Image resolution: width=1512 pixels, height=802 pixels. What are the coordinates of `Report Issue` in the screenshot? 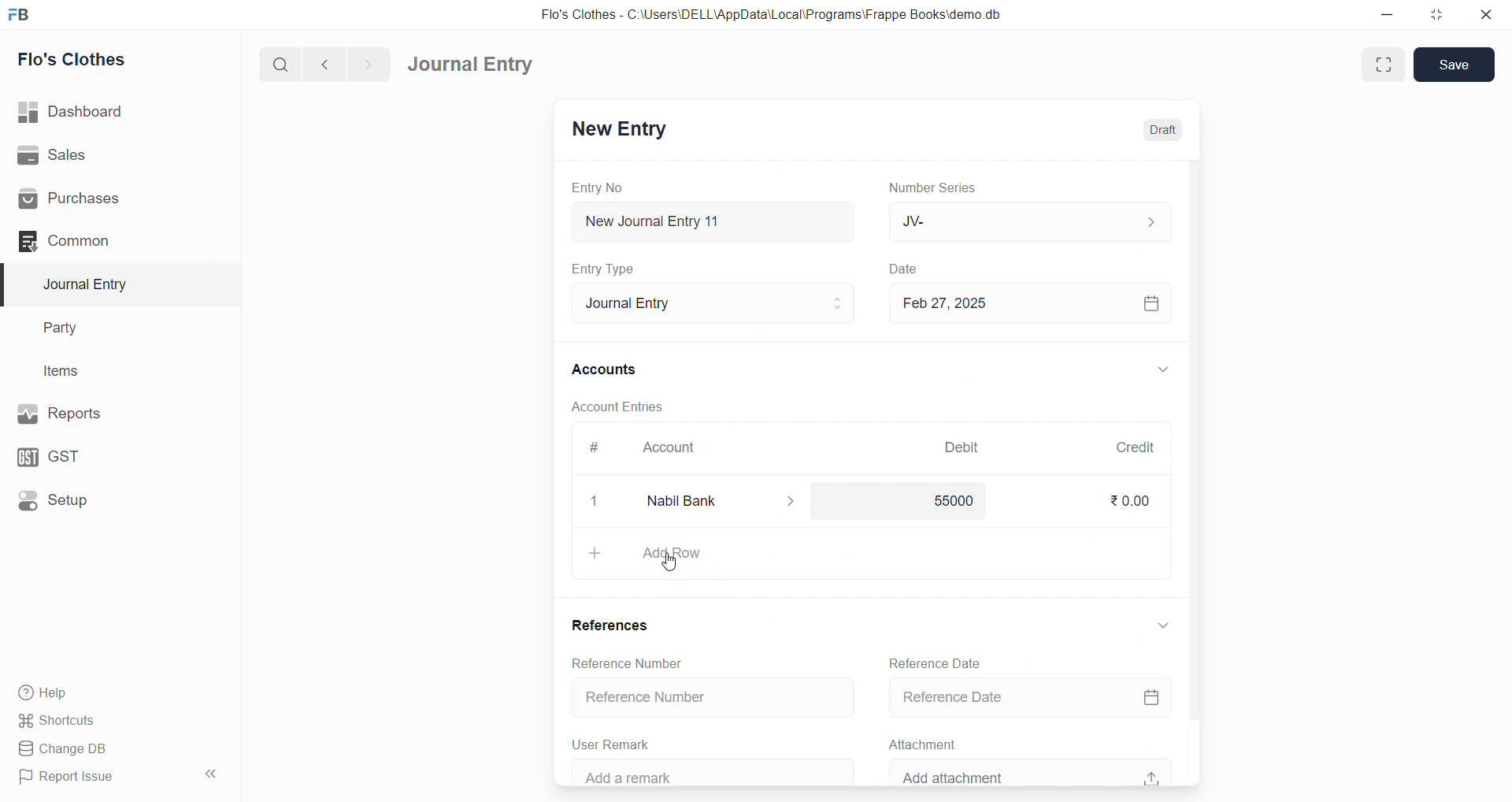 It's located at (94, 780).